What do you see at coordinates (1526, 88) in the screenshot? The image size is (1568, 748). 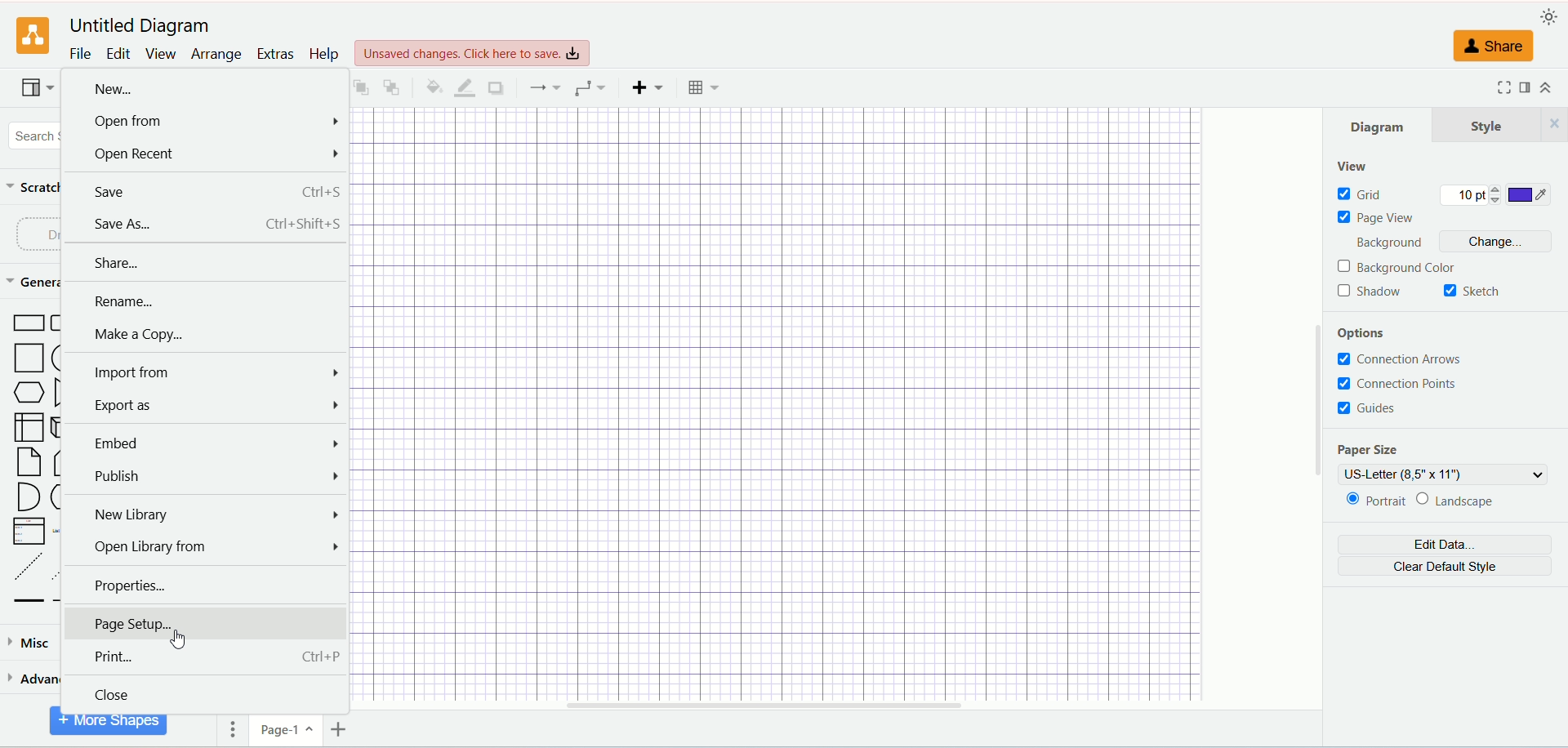 I see `format` at bounding box center [1526, 88].